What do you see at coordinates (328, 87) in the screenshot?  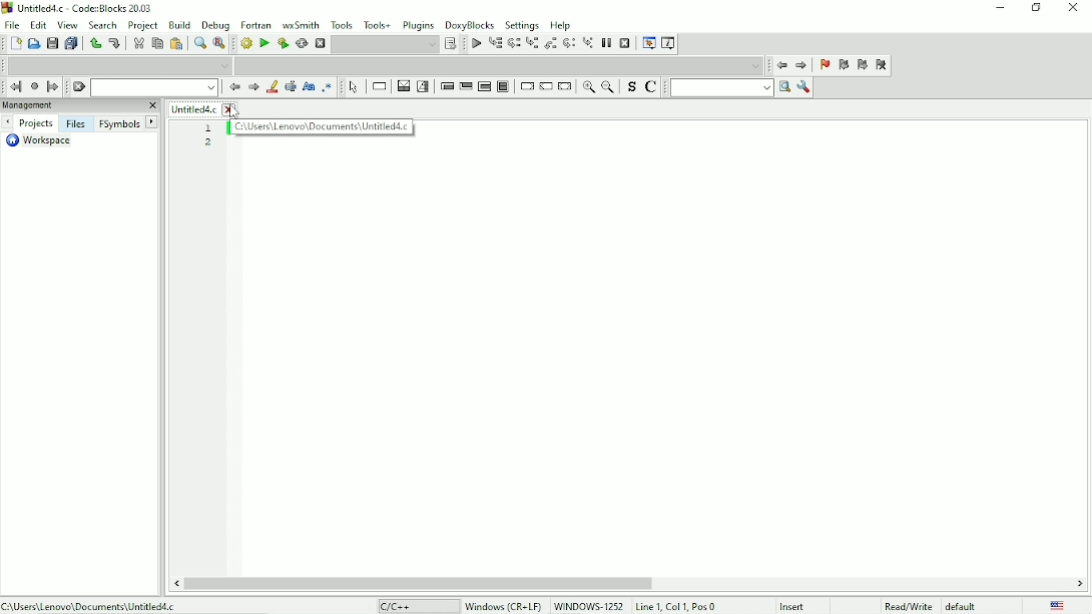 I see `Use regex` at bounding box center [328, 87].